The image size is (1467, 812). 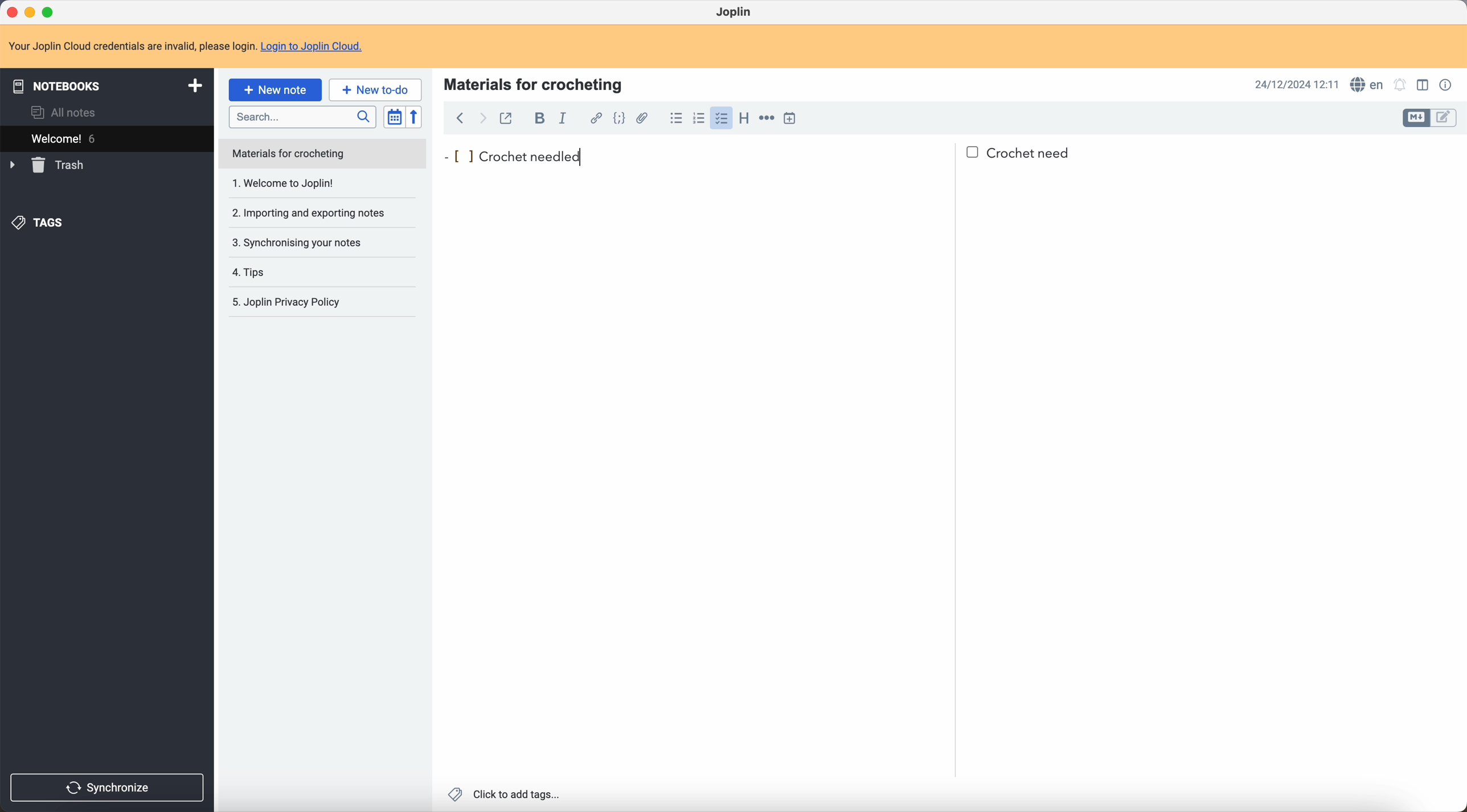 What do you see at coordinates (67, 112) in the screenshot?
I see `all notes` at bounding box center [67, 112].